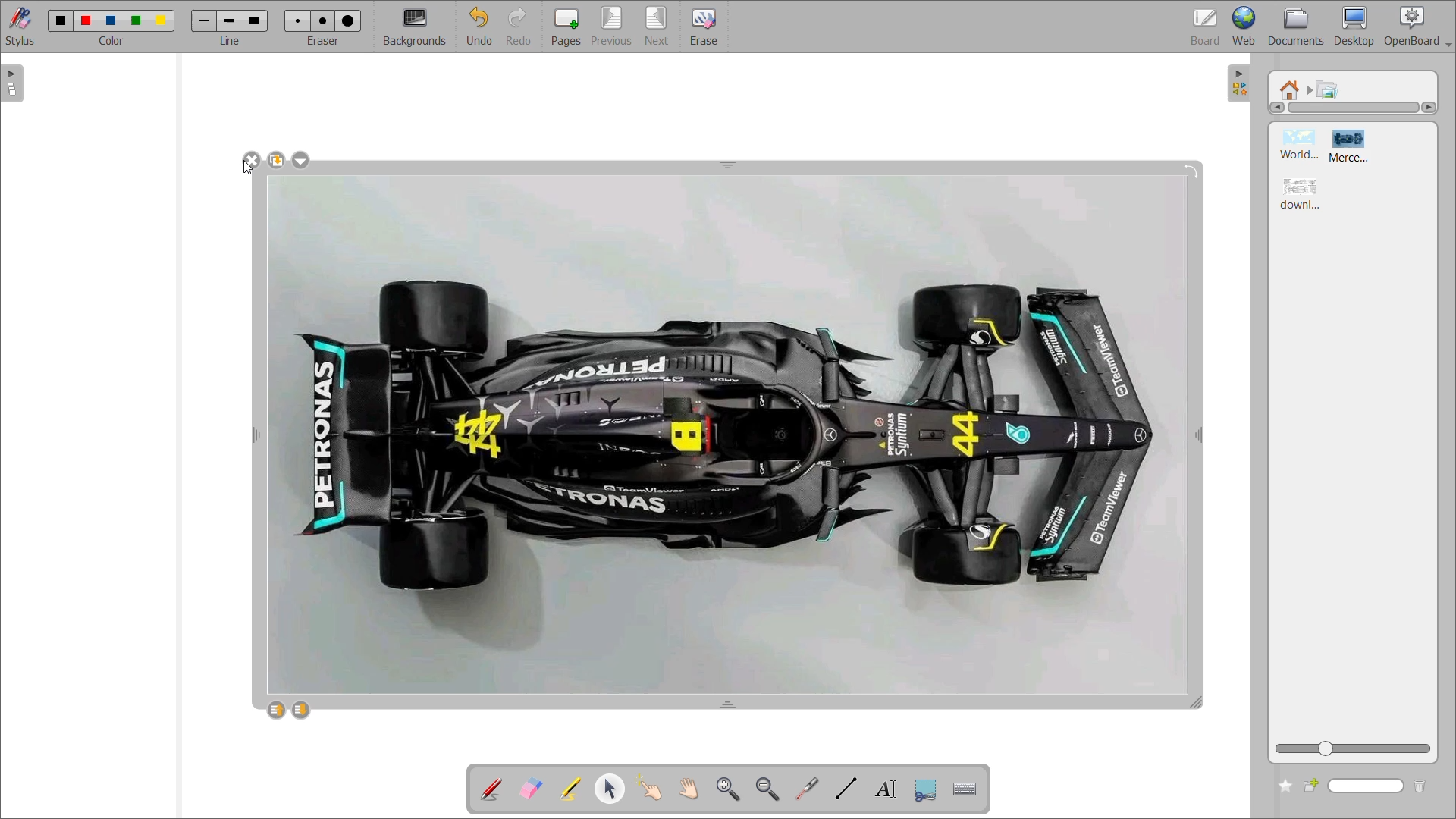 The height and width of the screenshot is (819, 1456). I want to click on next, so click(659, 27).